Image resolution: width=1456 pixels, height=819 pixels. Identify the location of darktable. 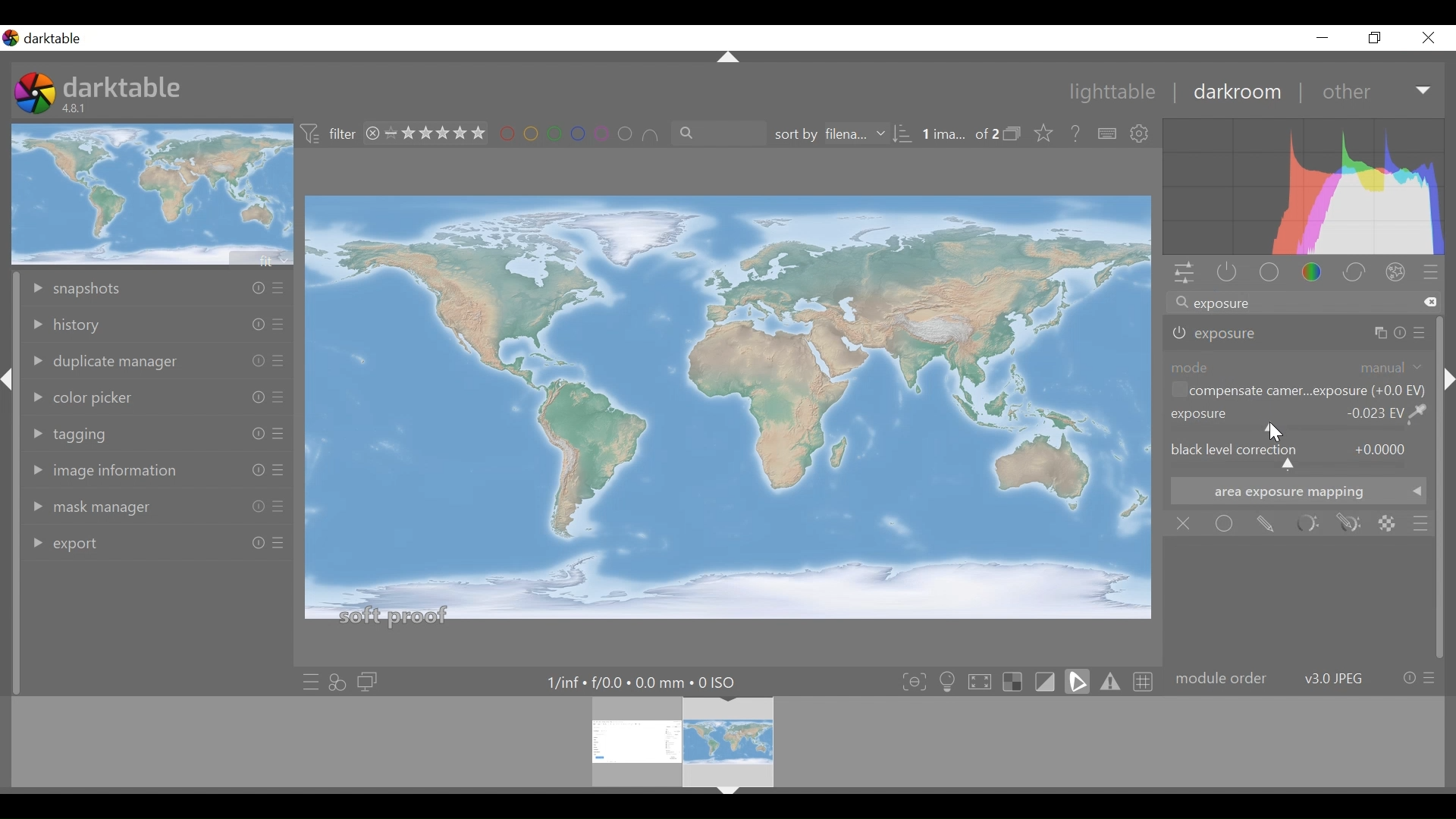
(123, 86).